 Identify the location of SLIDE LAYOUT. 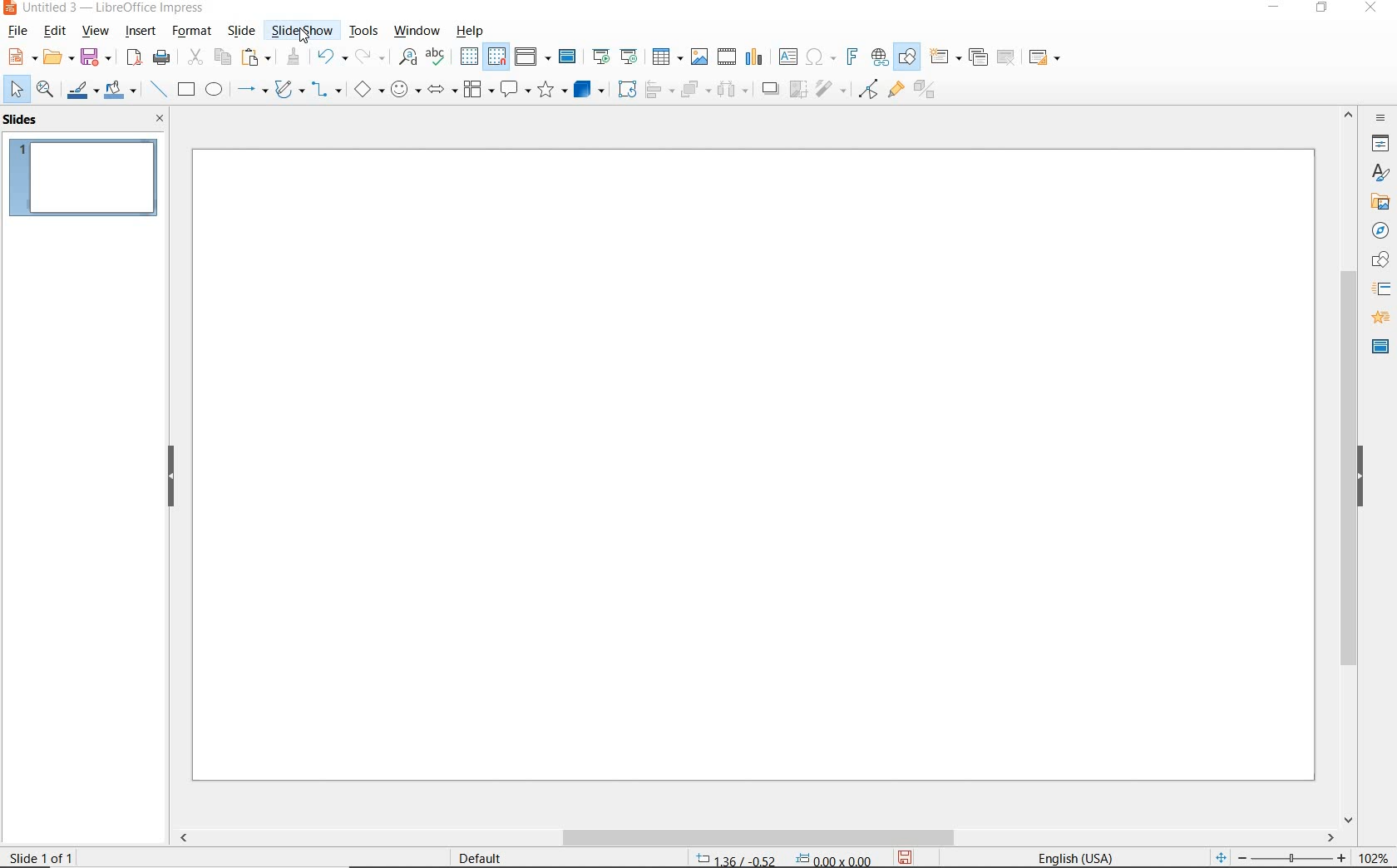
(1044, 57).